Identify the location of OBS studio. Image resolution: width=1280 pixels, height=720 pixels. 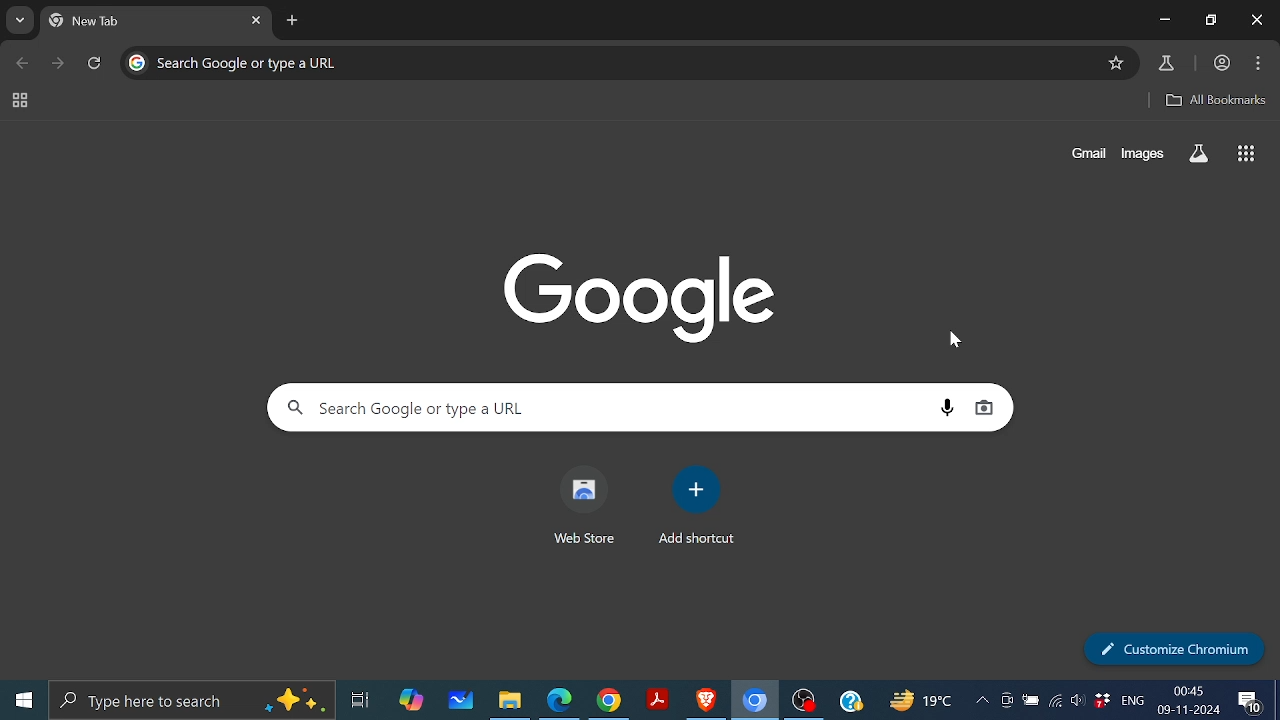
(804, 700).